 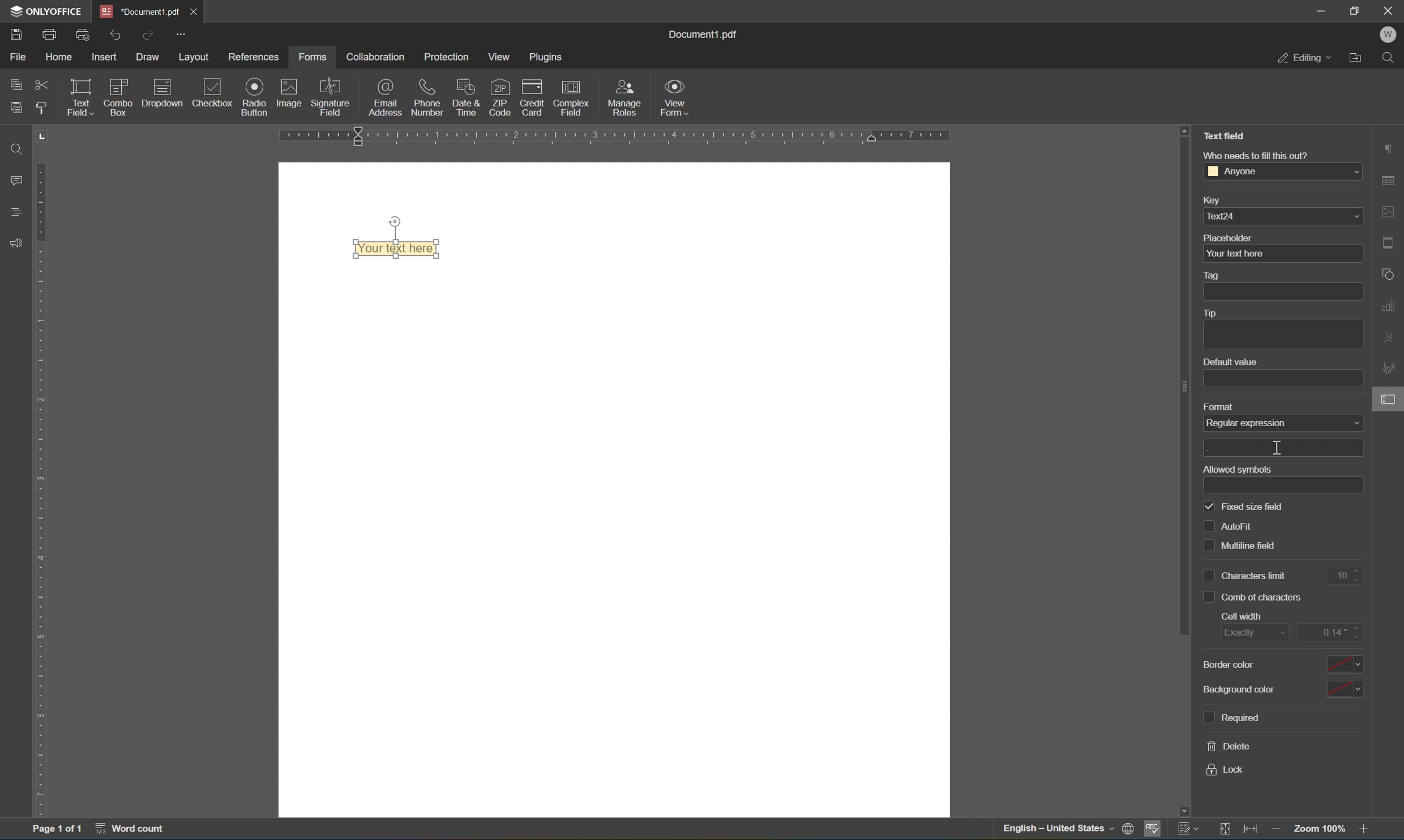 I want to click on select background color, so click(x=1343, y=690).